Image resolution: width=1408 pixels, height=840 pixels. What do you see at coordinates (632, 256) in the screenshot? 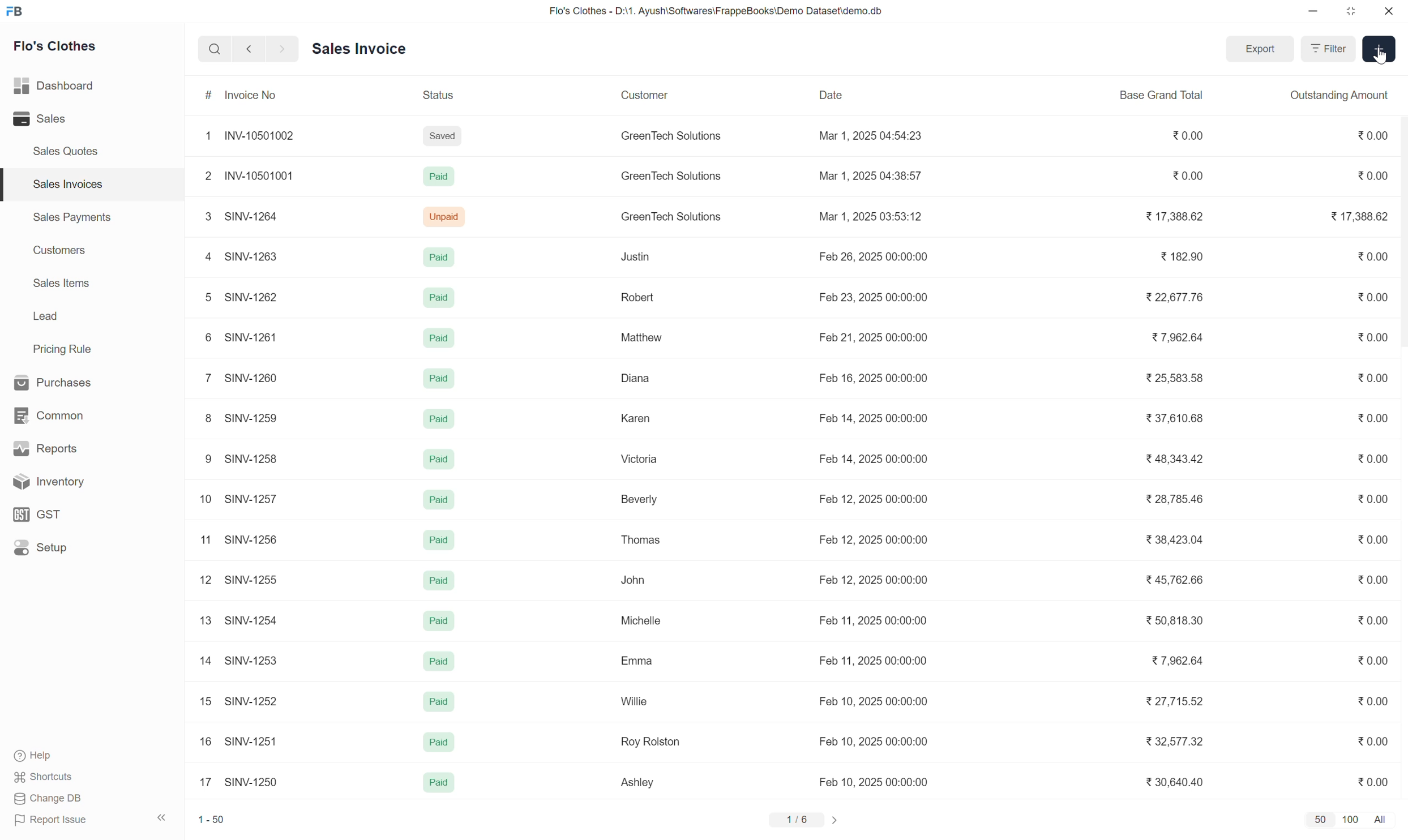
I see `Justin` at bounding box center [632, 256].